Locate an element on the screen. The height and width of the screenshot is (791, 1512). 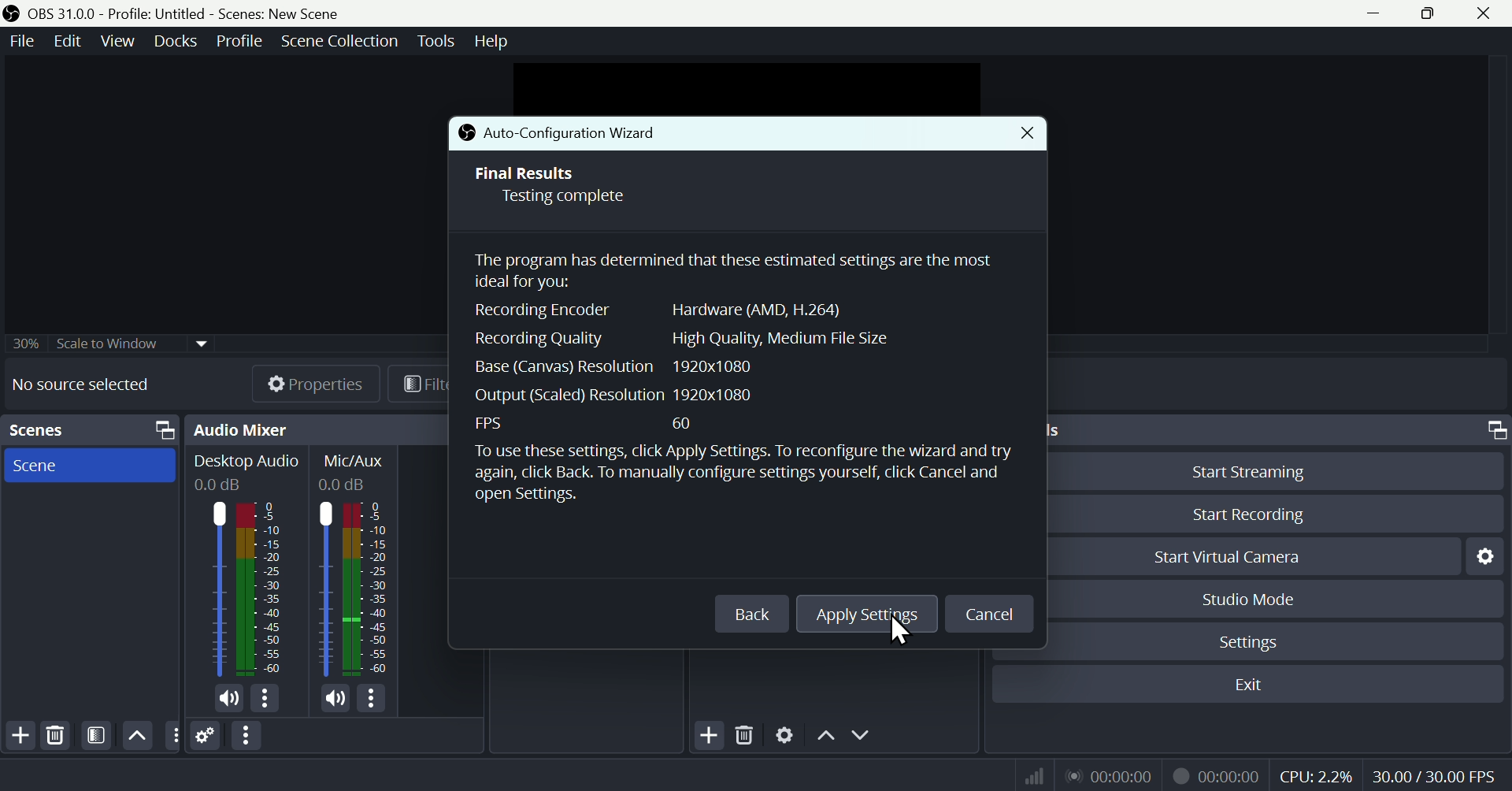
Signal is located at coordinates (1028, 775).